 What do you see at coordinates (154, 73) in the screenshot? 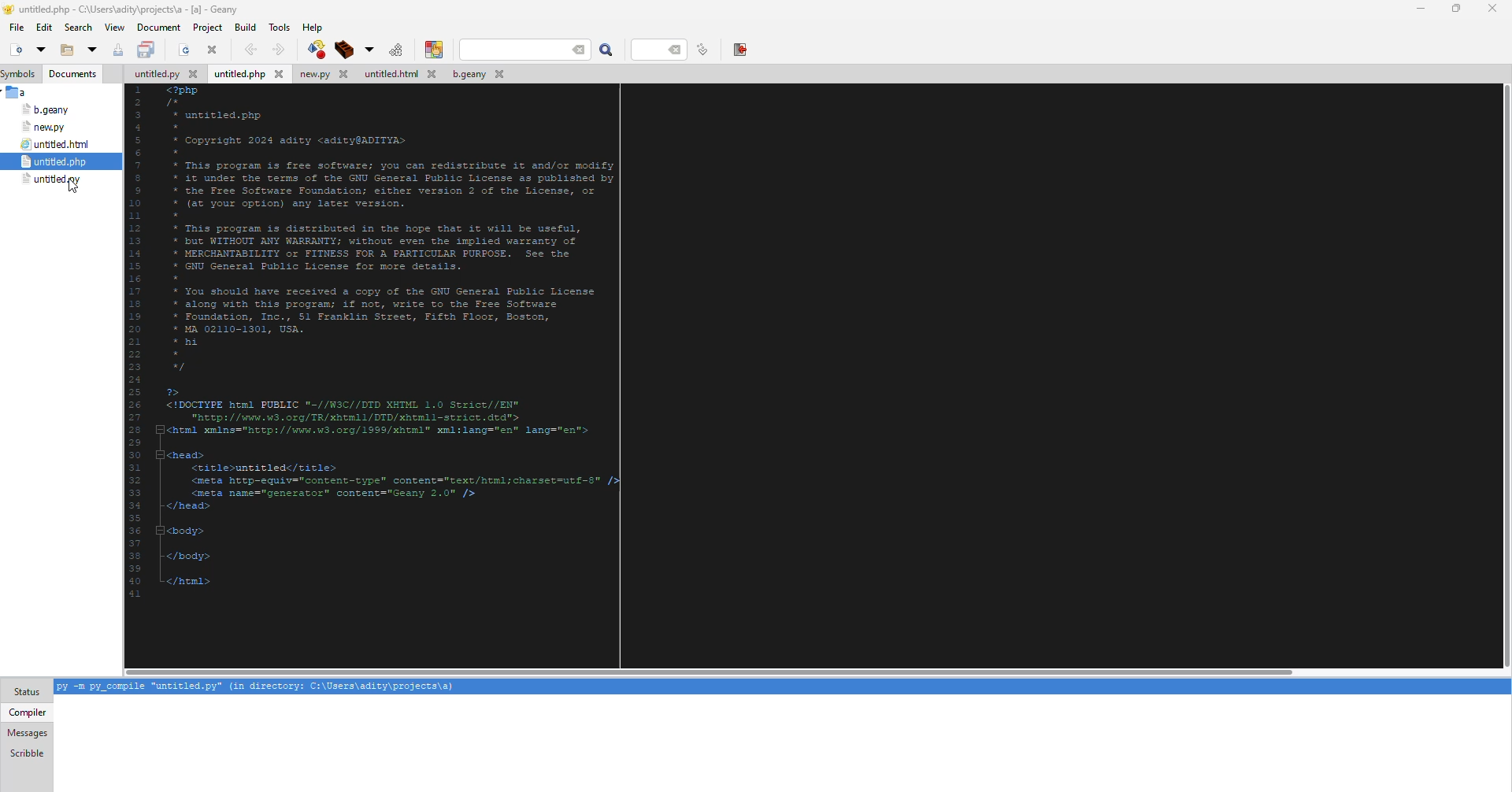
I see `untitled.py` at bounding box center [154, 73].